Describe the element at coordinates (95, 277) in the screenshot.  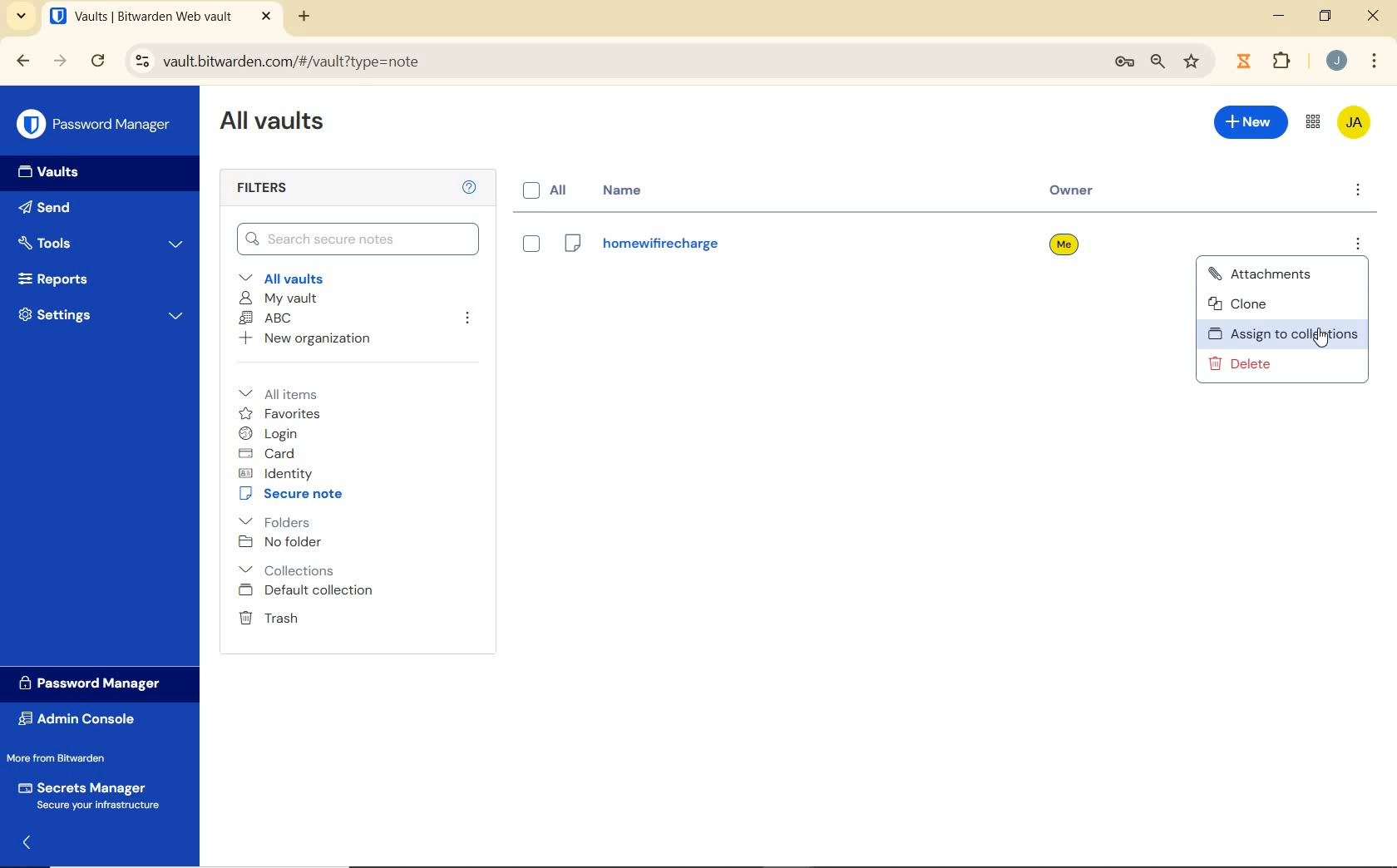
I see `Reports` at that location.